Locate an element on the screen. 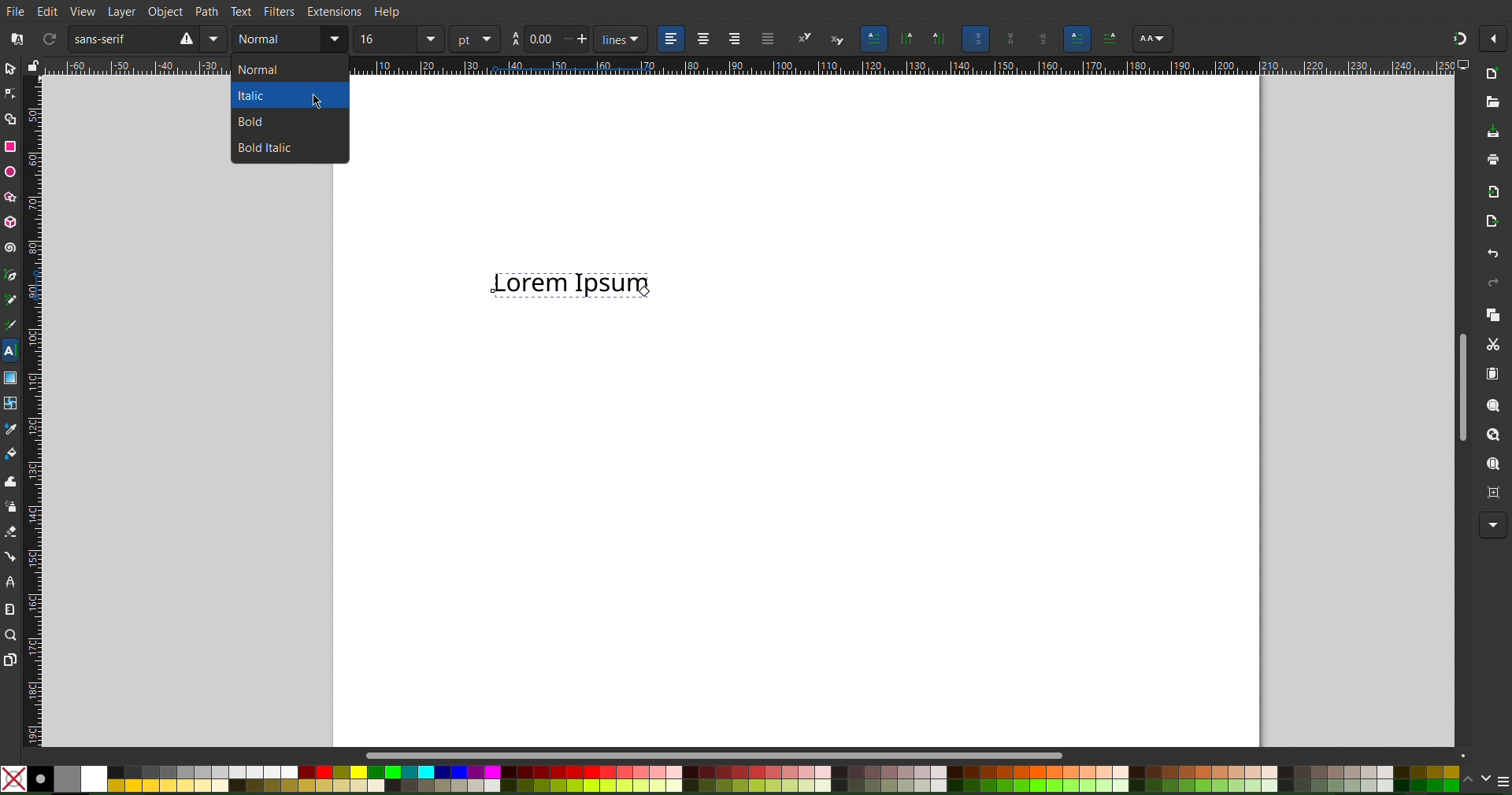 Image resolution: width=1512 pixels, height=795 pixels. Super script is located at coordinates (804, 39).